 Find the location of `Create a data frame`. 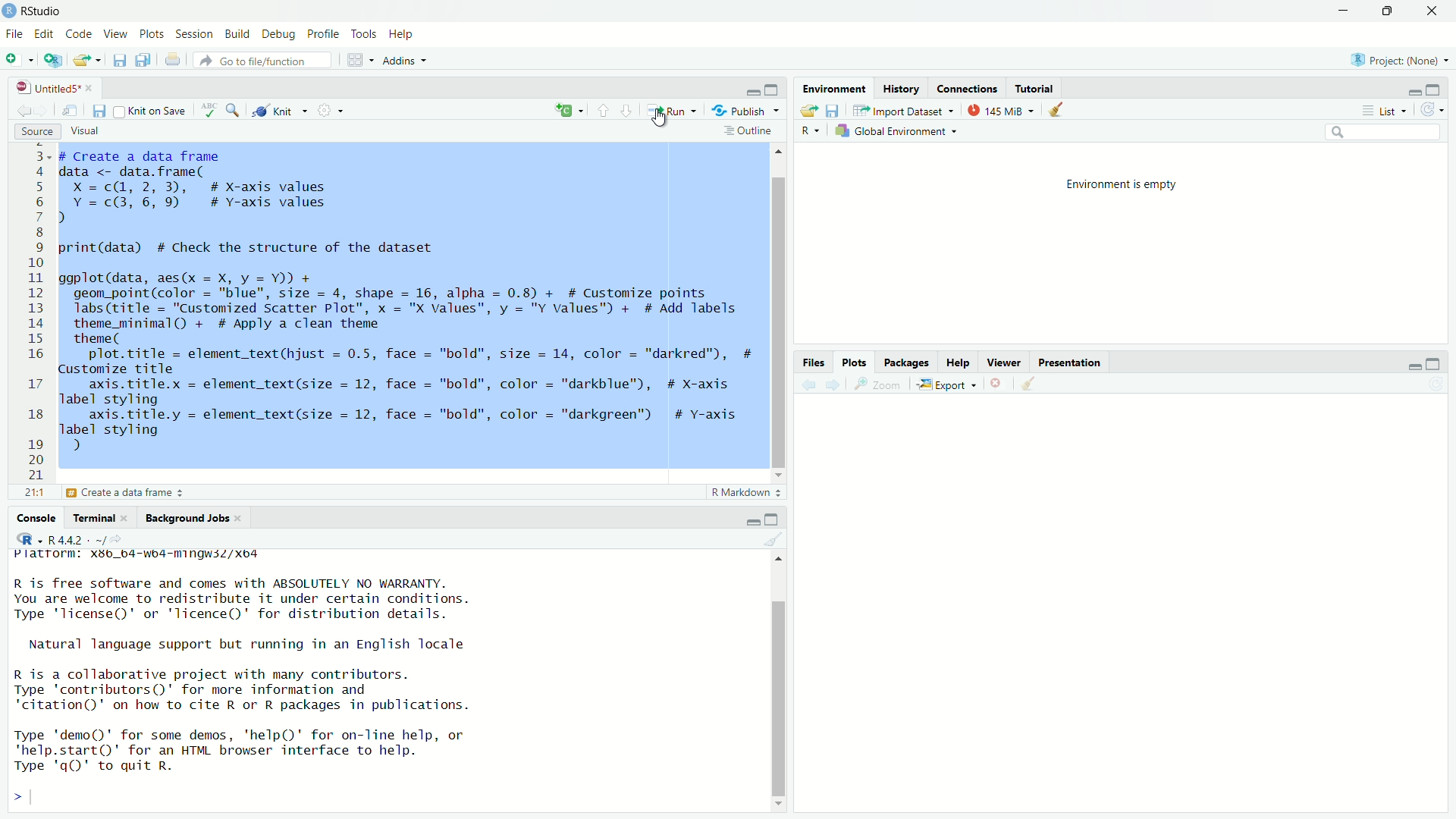

Create a data frame is located at coordinates (130, 494).